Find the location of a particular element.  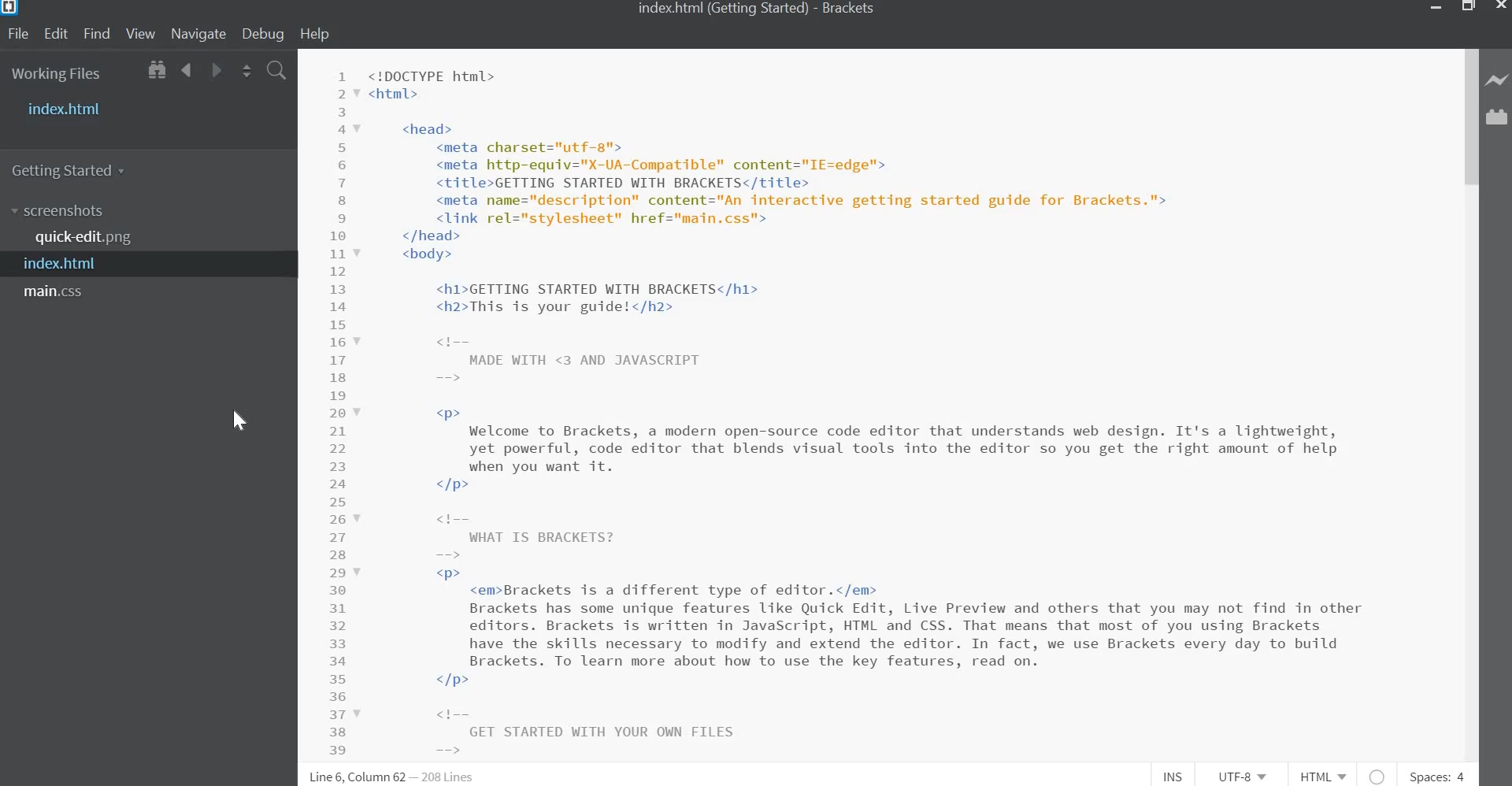

View is located at coordinates (140, 35).